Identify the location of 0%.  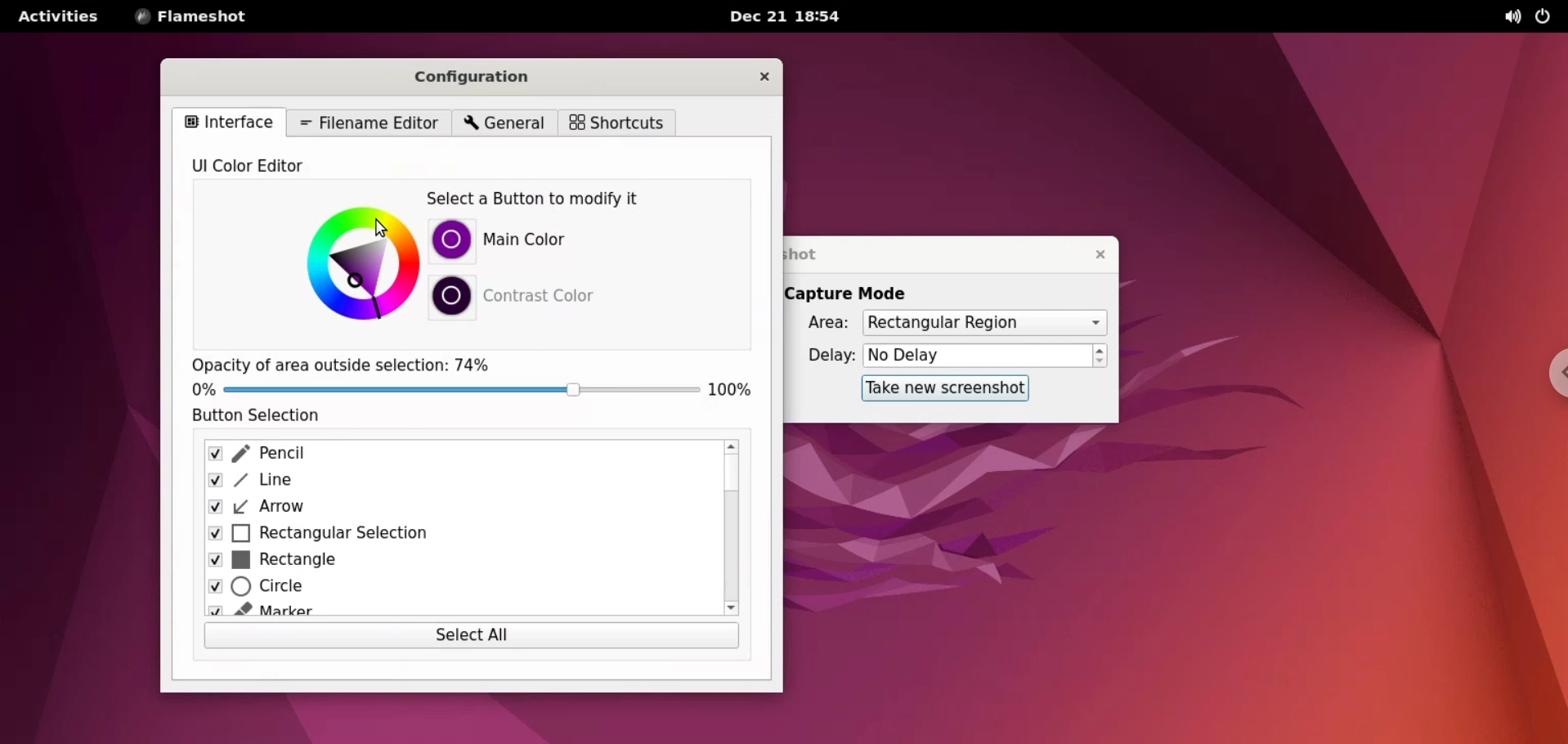
(204, 391).